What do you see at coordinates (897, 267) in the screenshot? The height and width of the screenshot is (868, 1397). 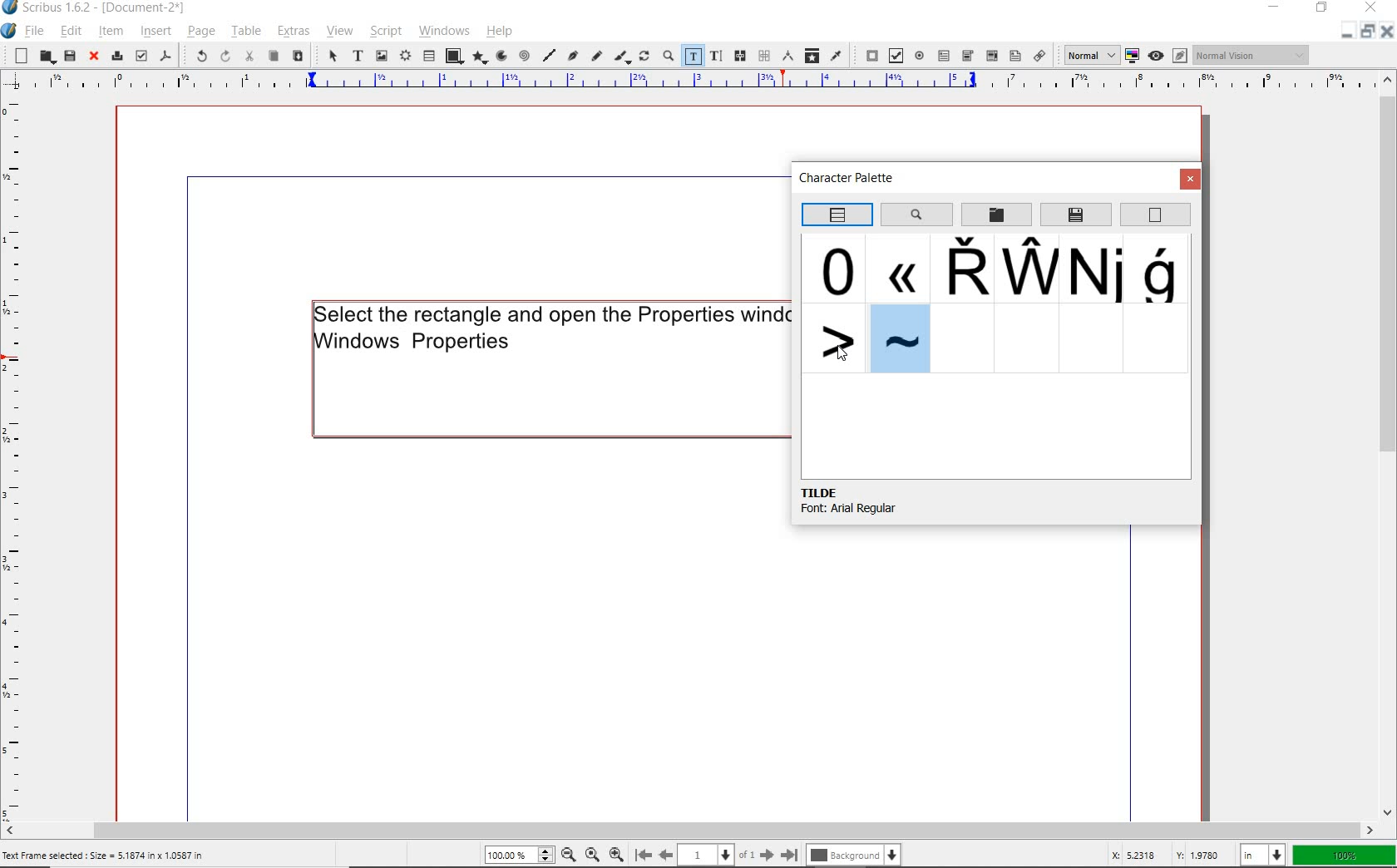 I see `glyphs` at bounding box center [897, 267].